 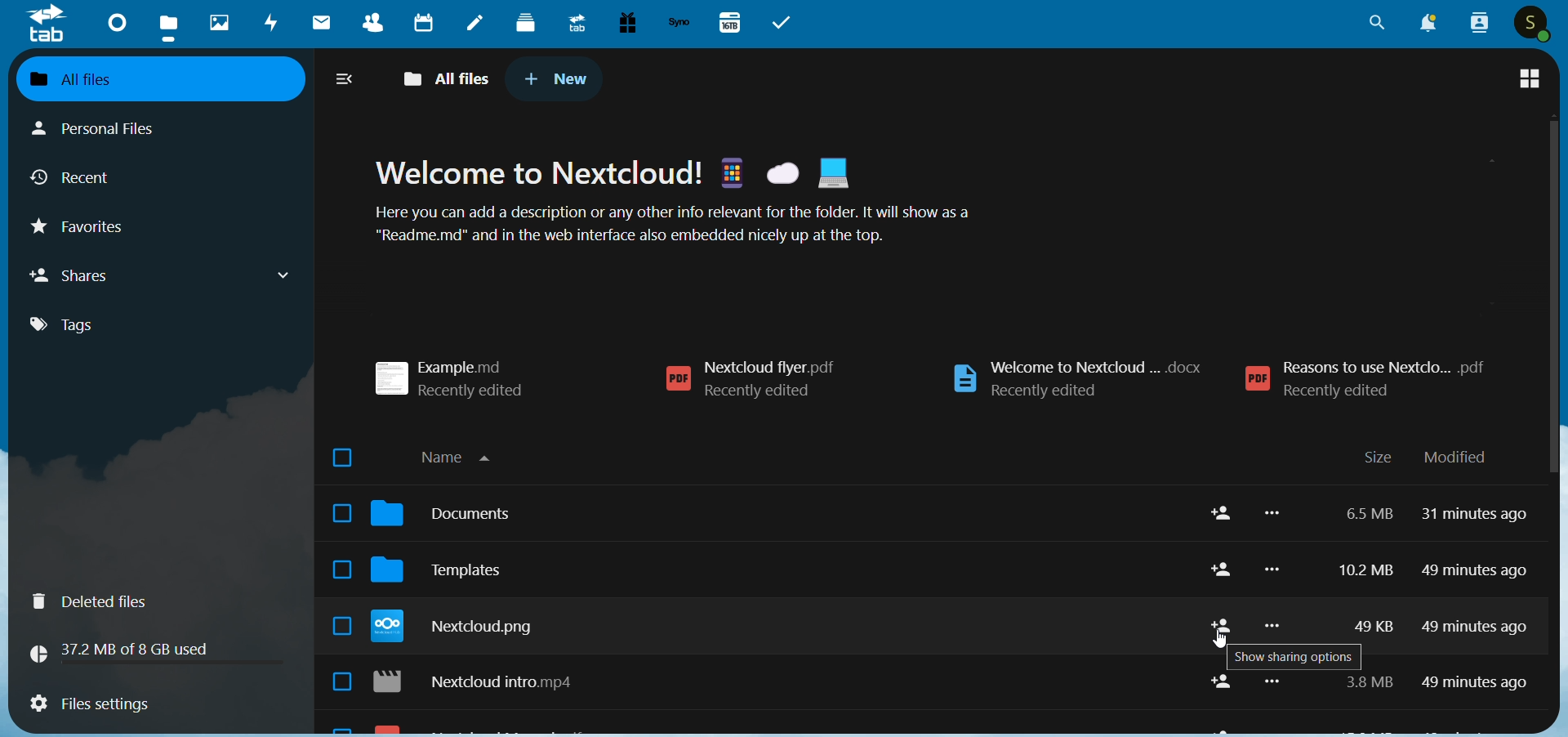 I want to click on all files, so click(x=450, y=76).